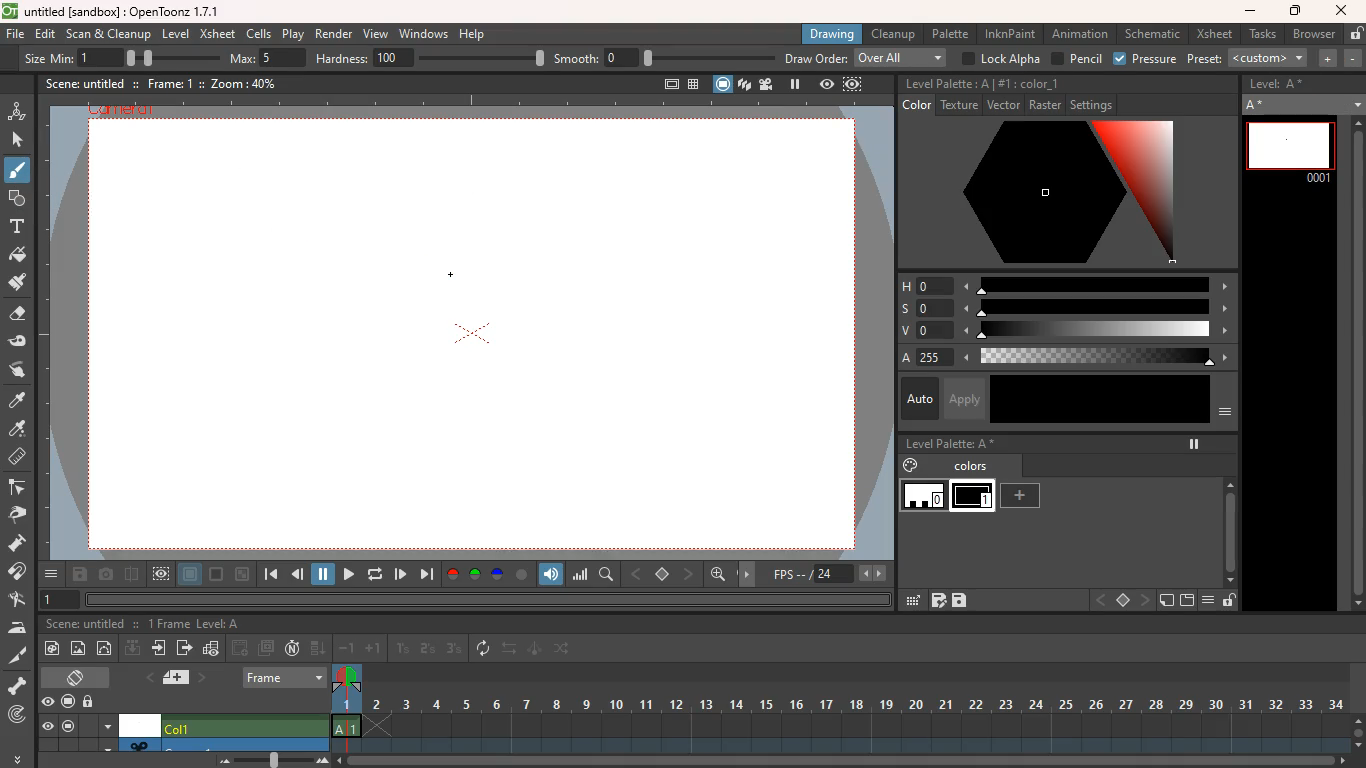 Image resolution: width=1366 pixels, height=768 pixels. I want to click on scale, so click(1103, 357).